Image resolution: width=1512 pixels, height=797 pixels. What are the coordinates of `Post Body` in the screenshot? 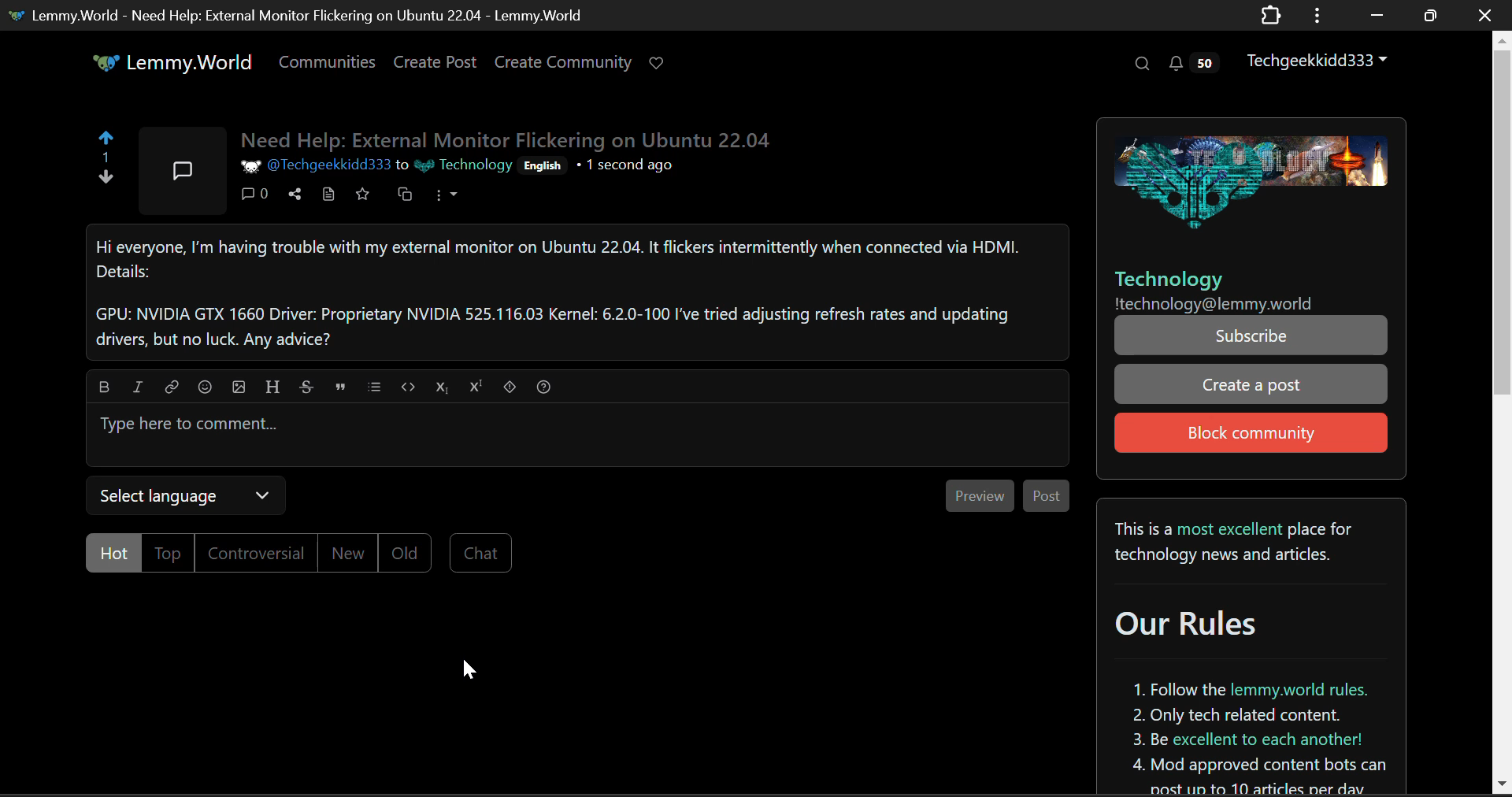 It's located at (578, 292).